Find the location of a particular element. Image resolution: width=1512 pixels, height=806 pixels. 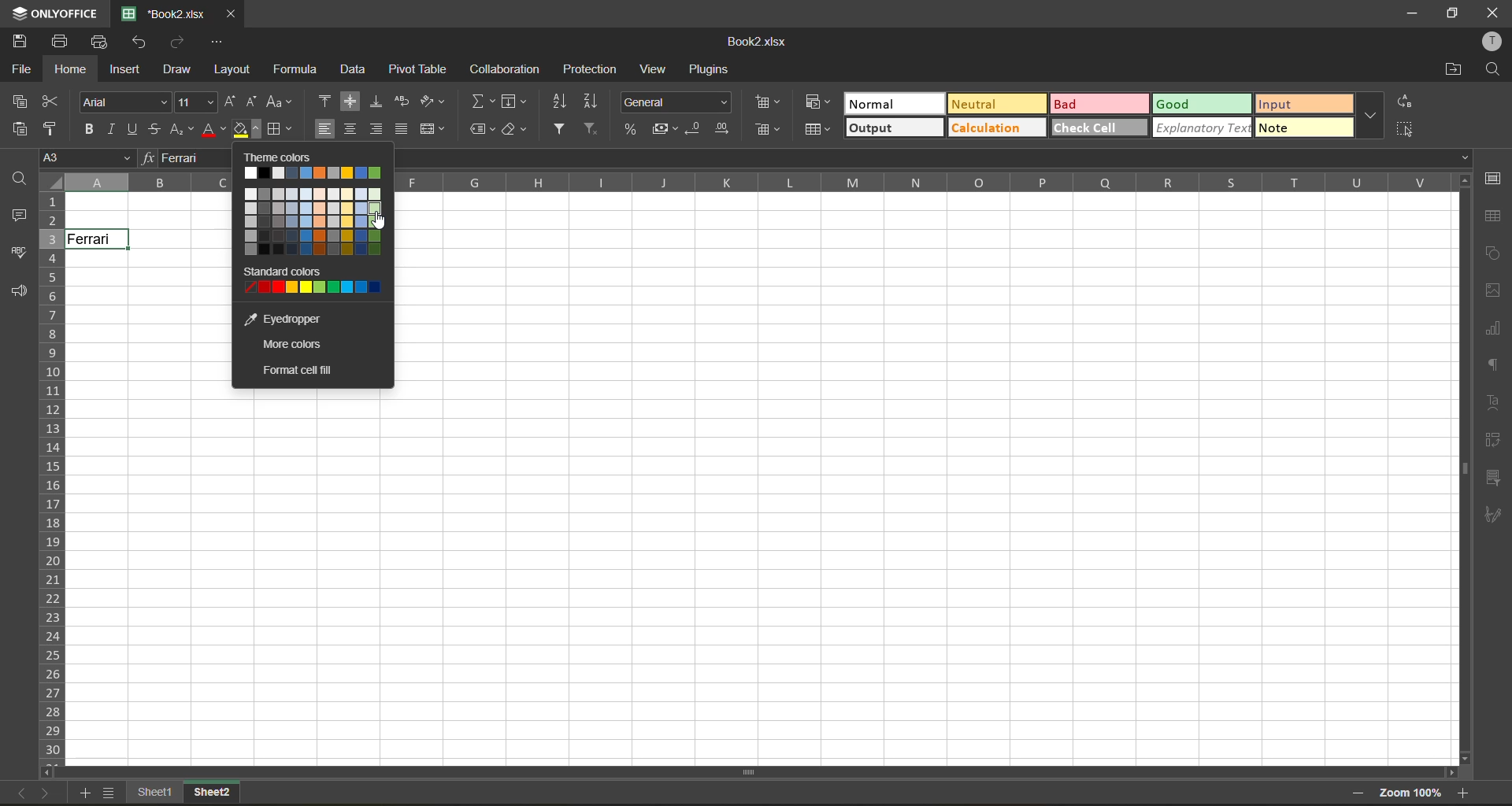

charts is located at coordinates (1495, 329).